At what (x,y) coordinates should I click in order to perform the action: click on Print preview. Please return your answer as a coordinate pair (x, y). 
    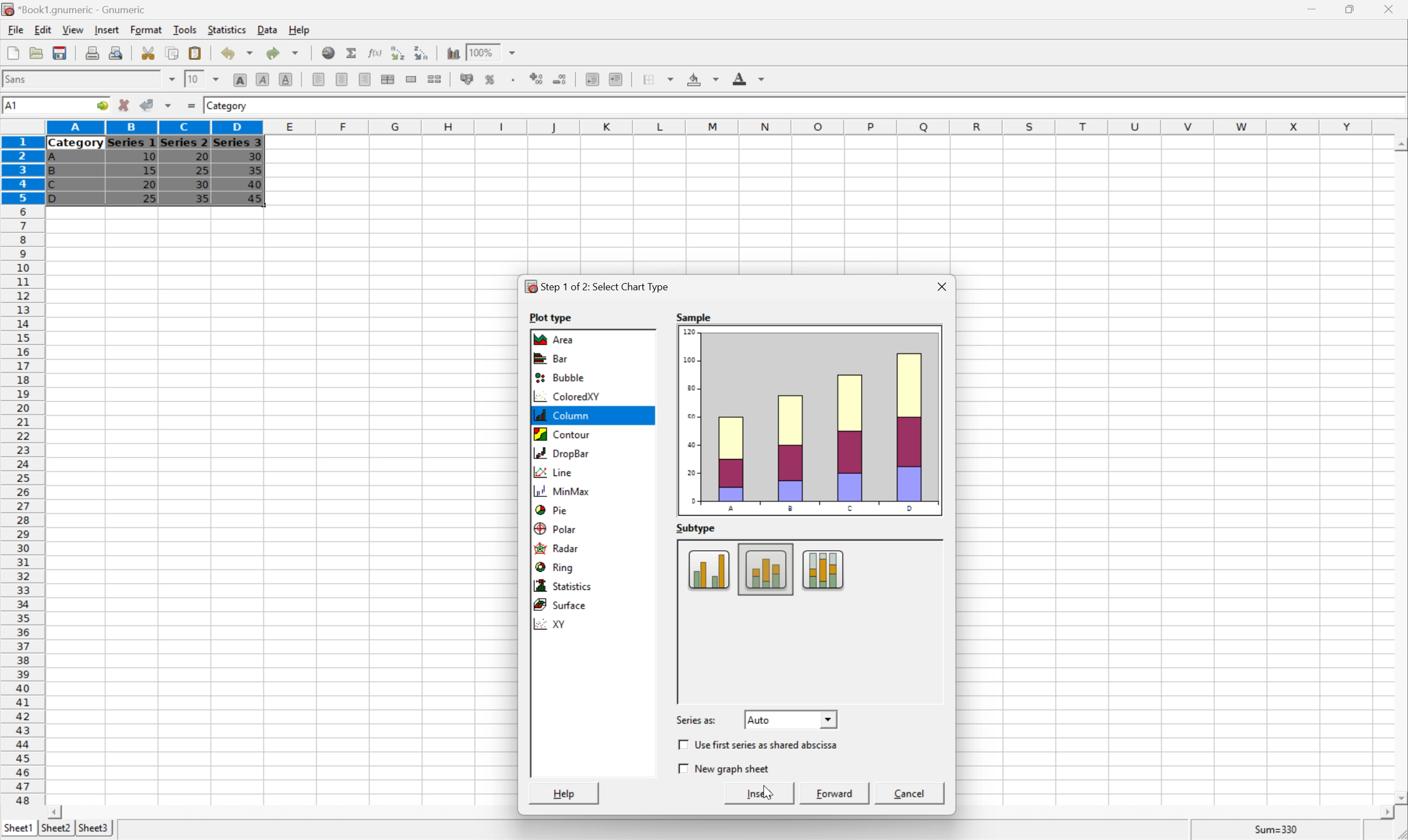
    Looking at the image, I should click on (117, 53).